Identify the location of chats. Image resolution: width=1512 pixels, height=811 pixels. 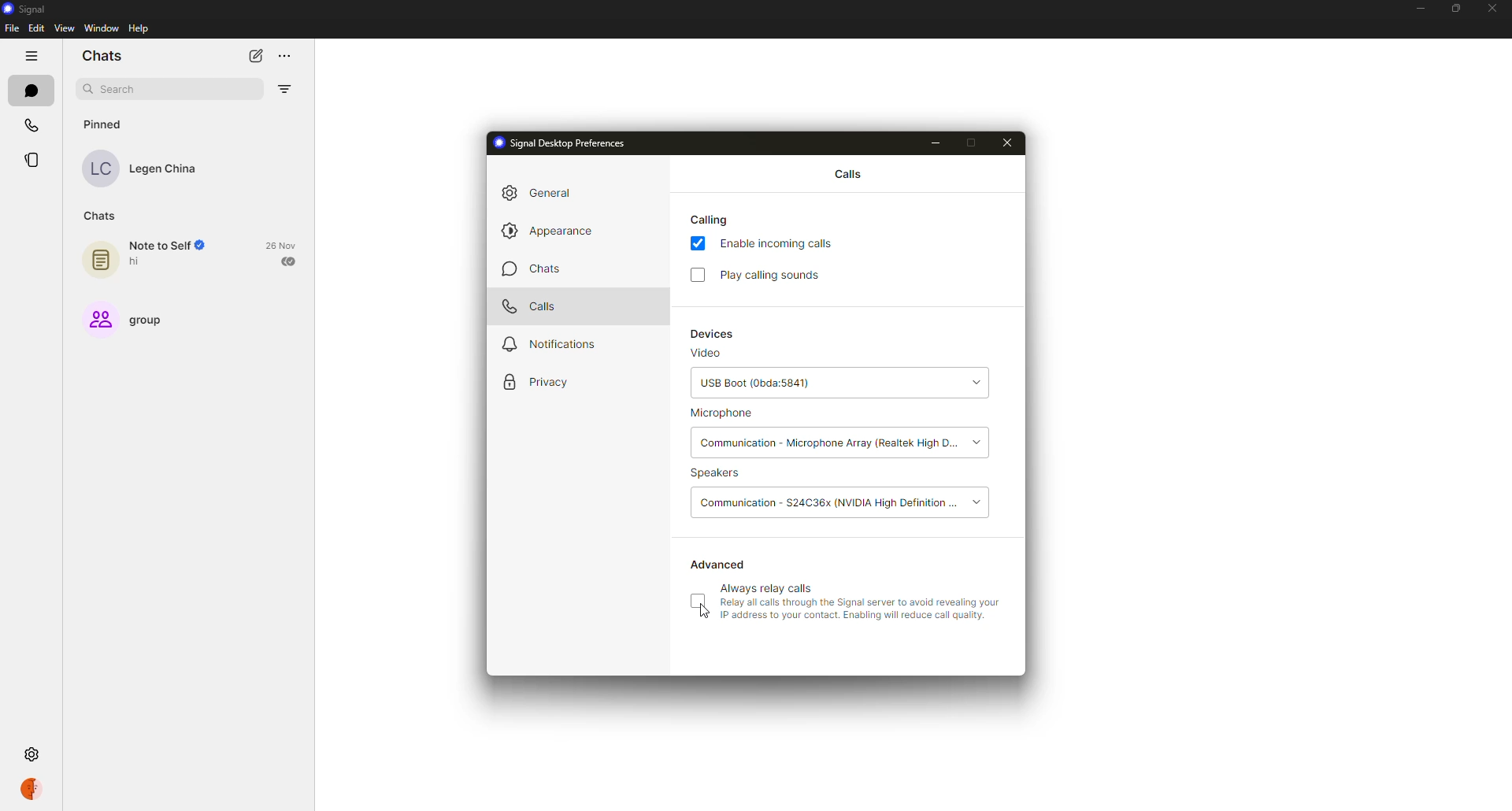
(106, 54).